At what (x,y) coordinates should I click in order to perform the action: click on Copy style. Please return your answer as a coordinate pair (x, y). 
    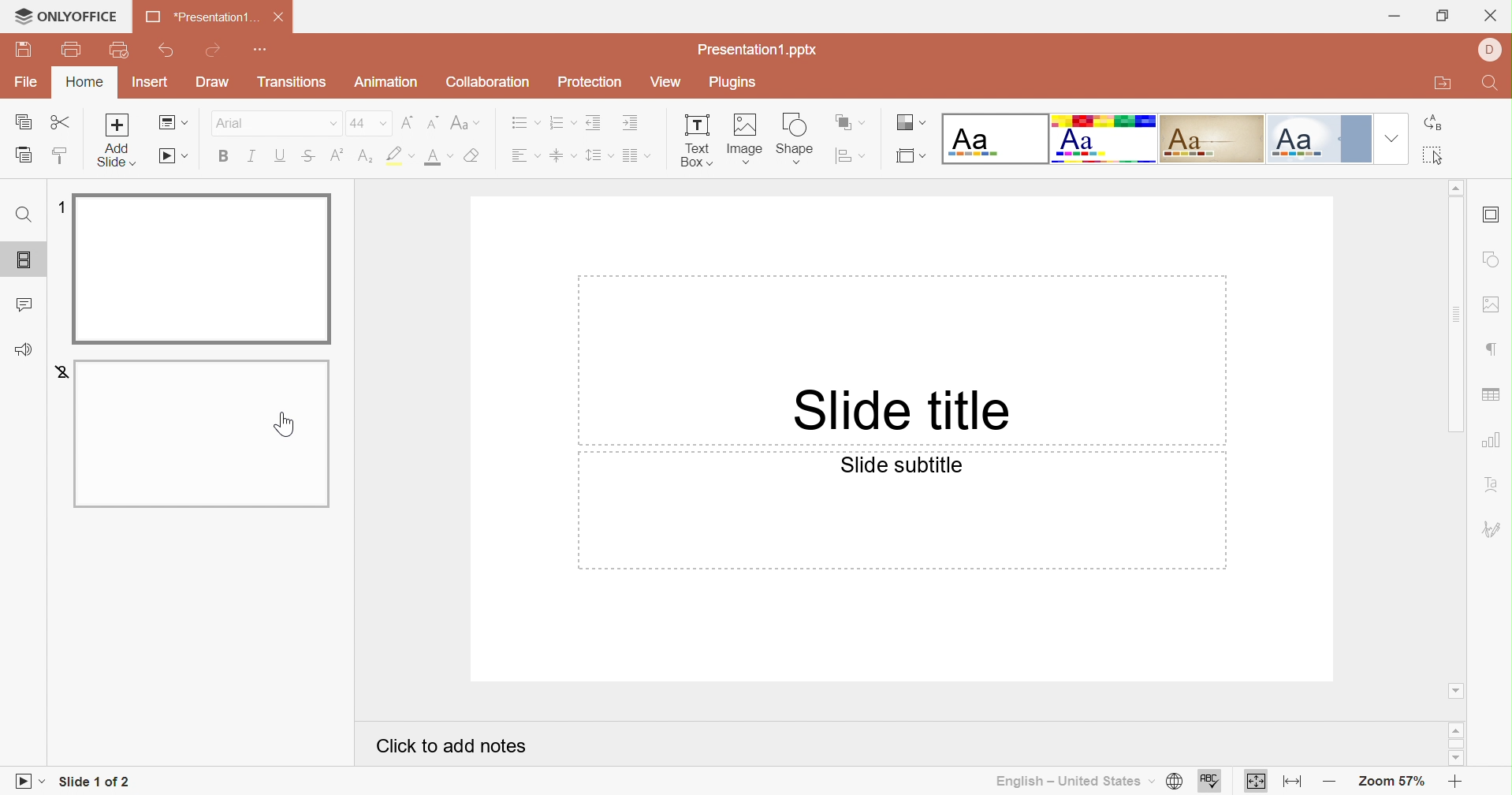
    Looking at the image, I should click on (62, 159).